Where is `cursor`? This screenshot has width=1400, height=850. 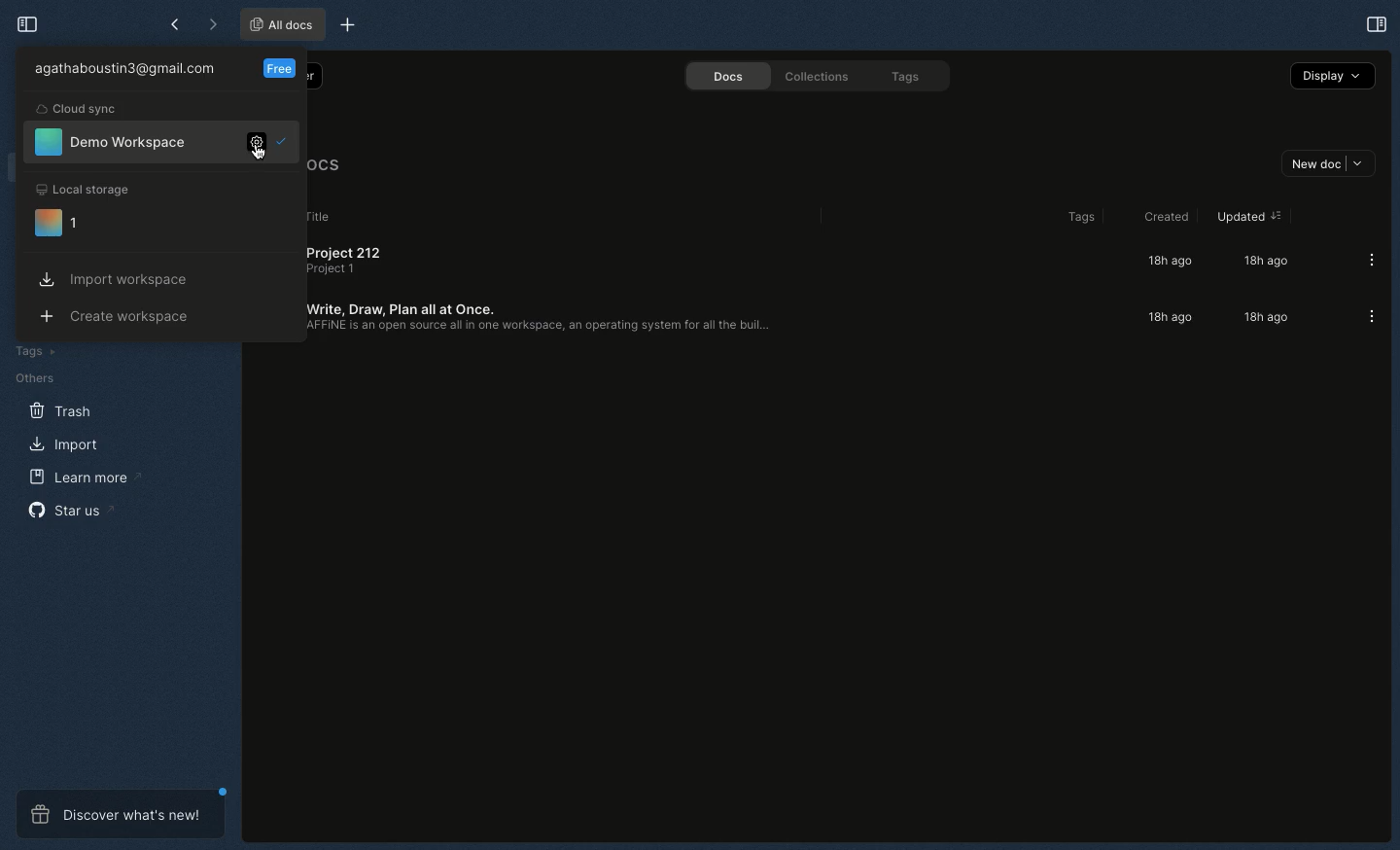
cursor is located at coordinates (260, 154).